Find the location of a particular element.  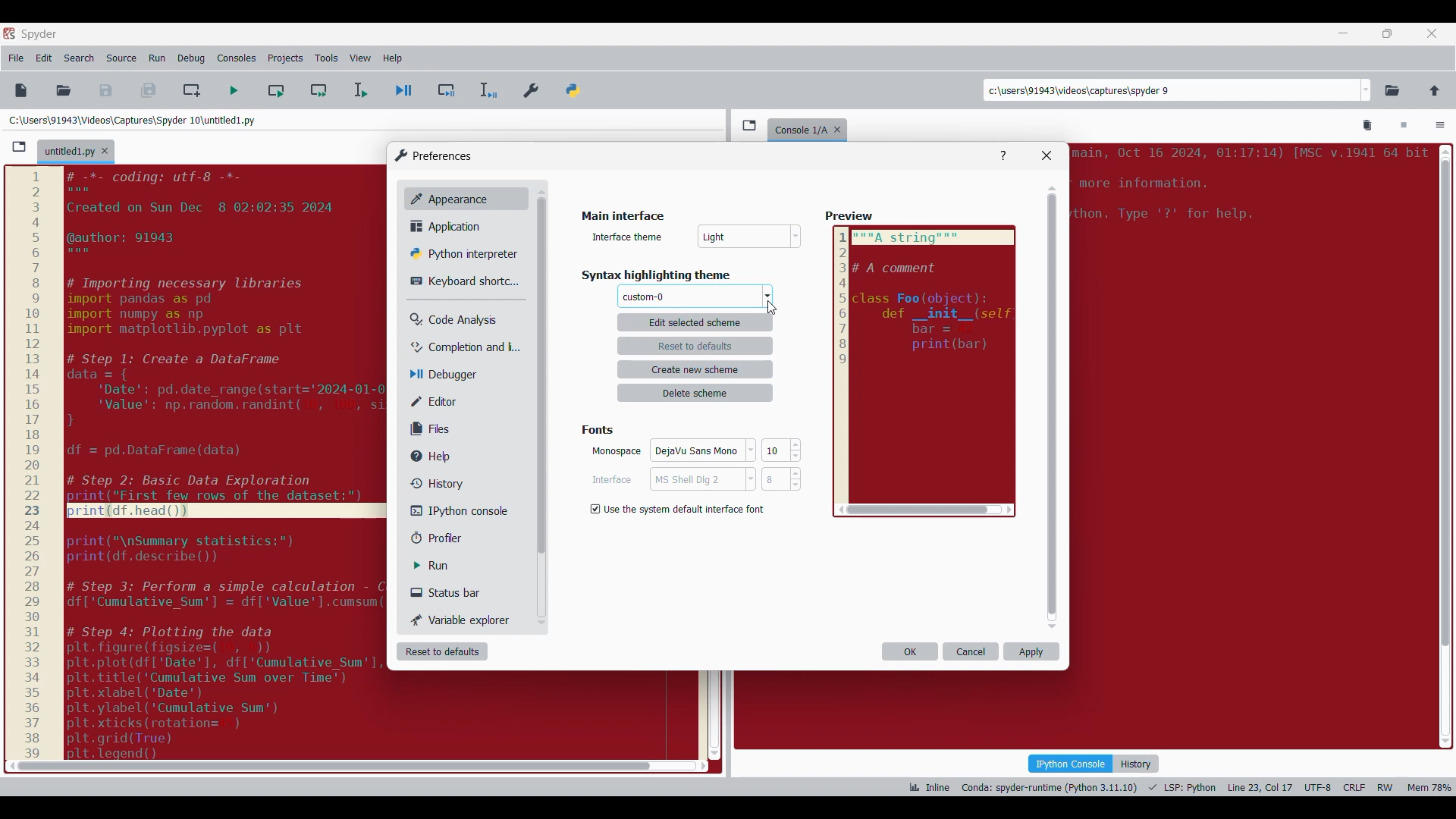

Debug file is located at coordinates (404, 91).